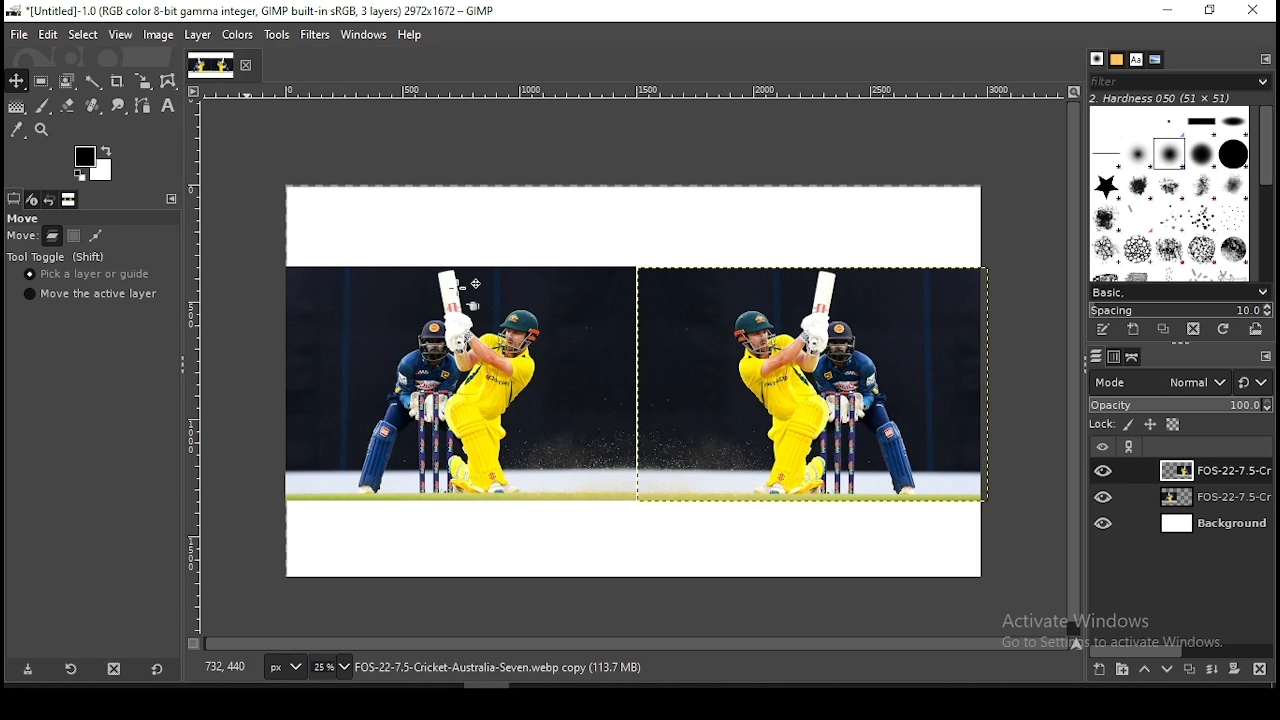 This screenshot has width=1280, height=720. Describe the element at coordinates (1117, 59) in the screenshot. I see `patterns` at that location.